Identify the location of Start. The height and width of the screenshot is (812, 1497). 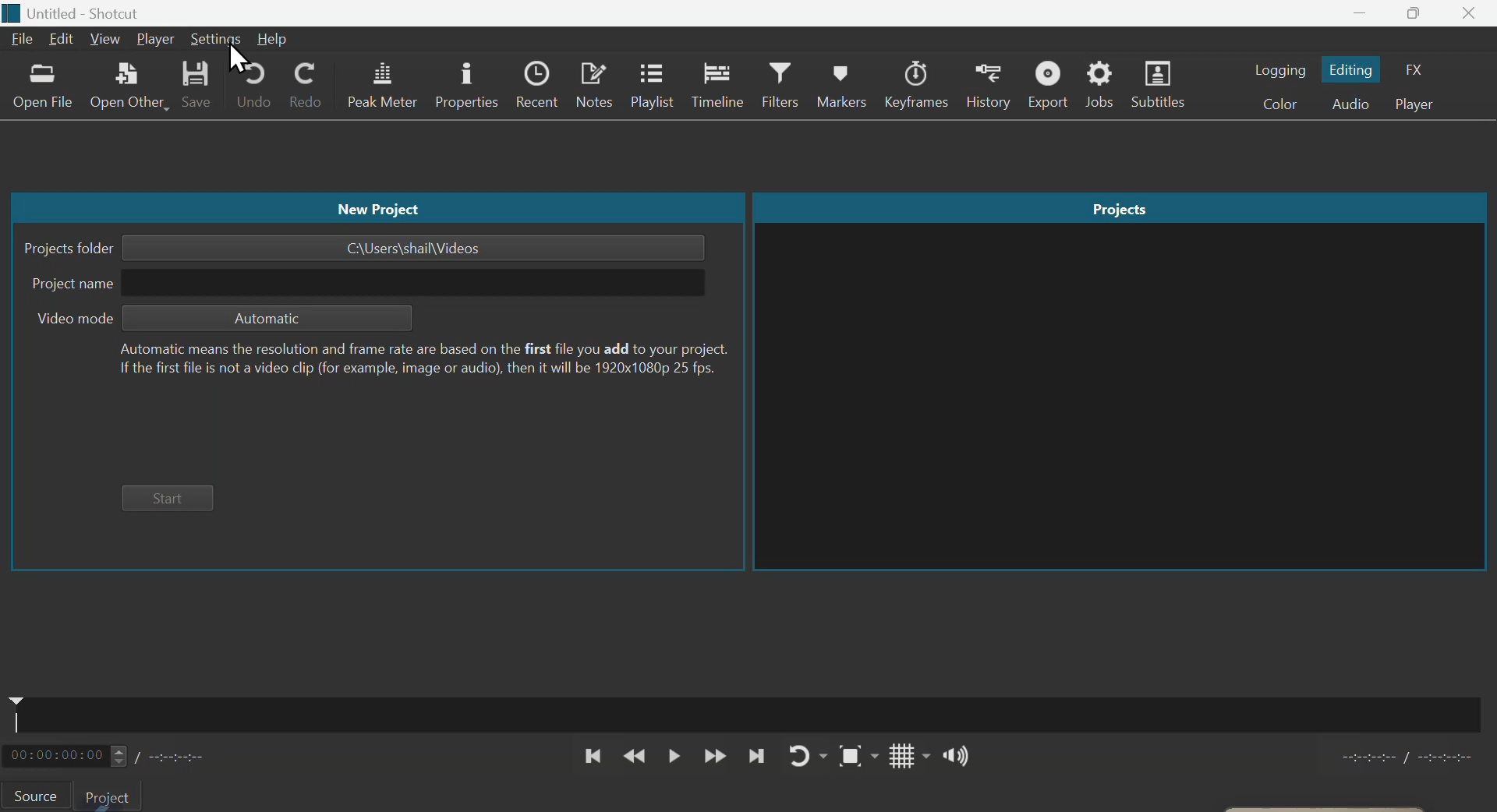
(171, 498).